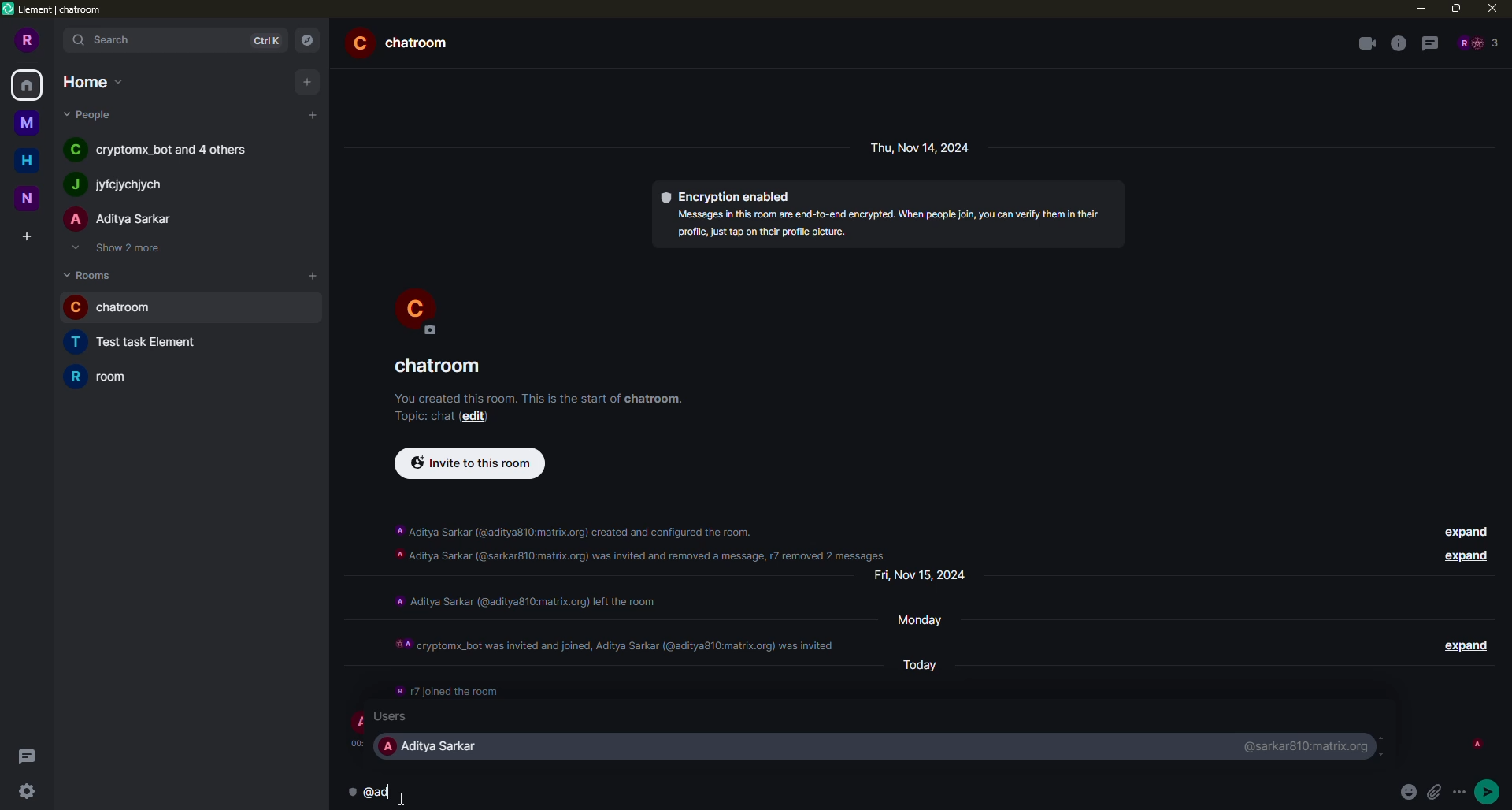  What do you see at coordinates (104, 41) in the screenshot?
I see `search` at bounding box center [104, 41].